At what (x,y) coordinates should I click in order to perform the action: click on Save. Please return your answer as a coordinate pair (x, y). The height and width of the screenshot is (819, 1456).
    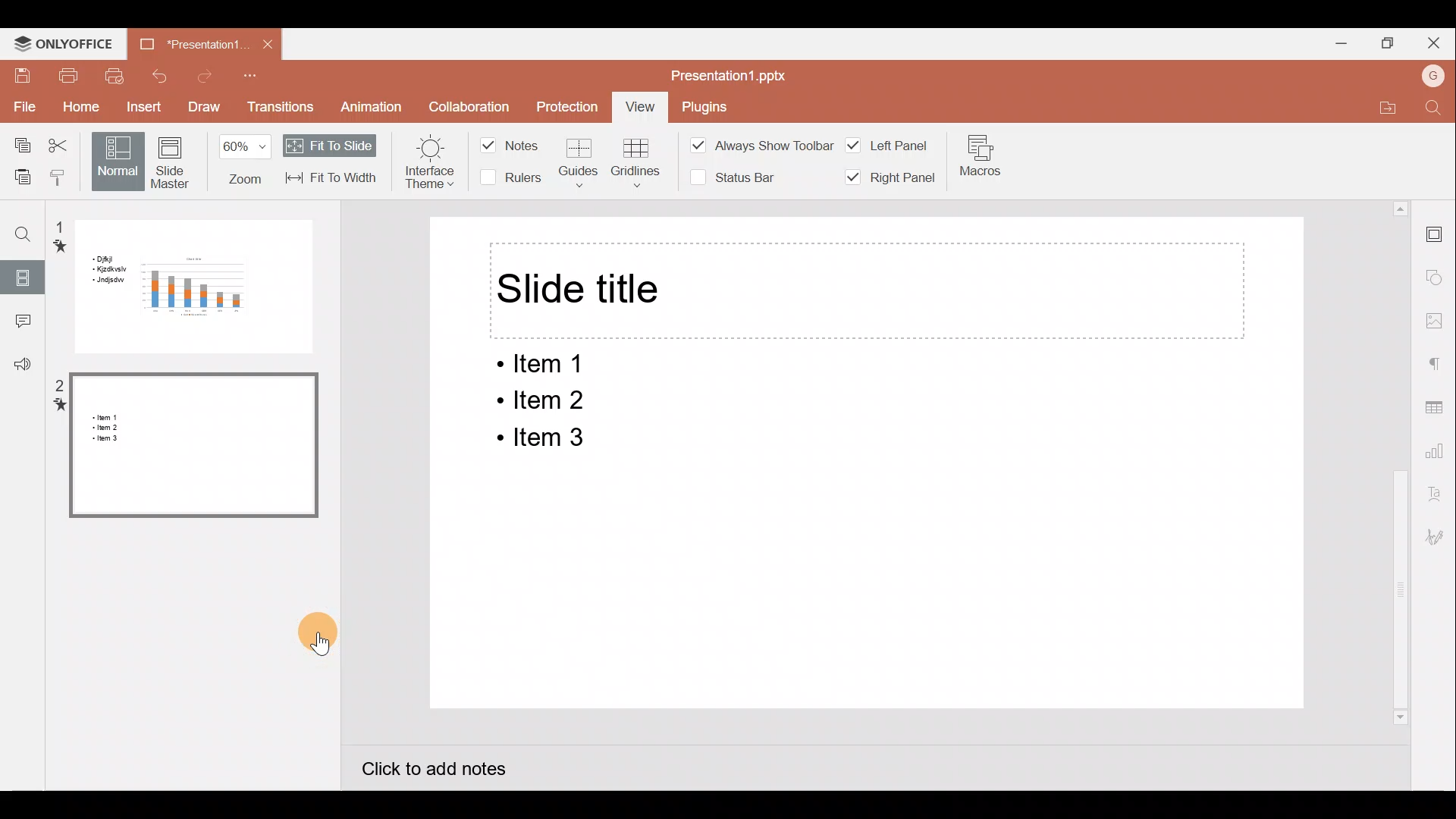
    Looking at the image, I should click on (20, 76).